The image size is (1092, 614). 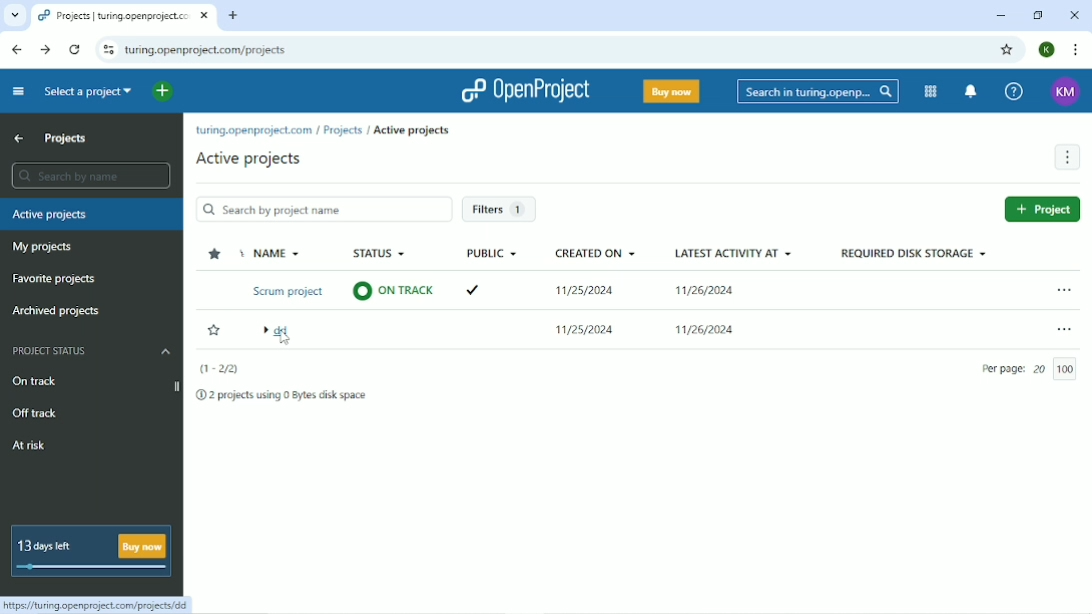 I want to click on Add to favorite, so click(x=213, y=330).